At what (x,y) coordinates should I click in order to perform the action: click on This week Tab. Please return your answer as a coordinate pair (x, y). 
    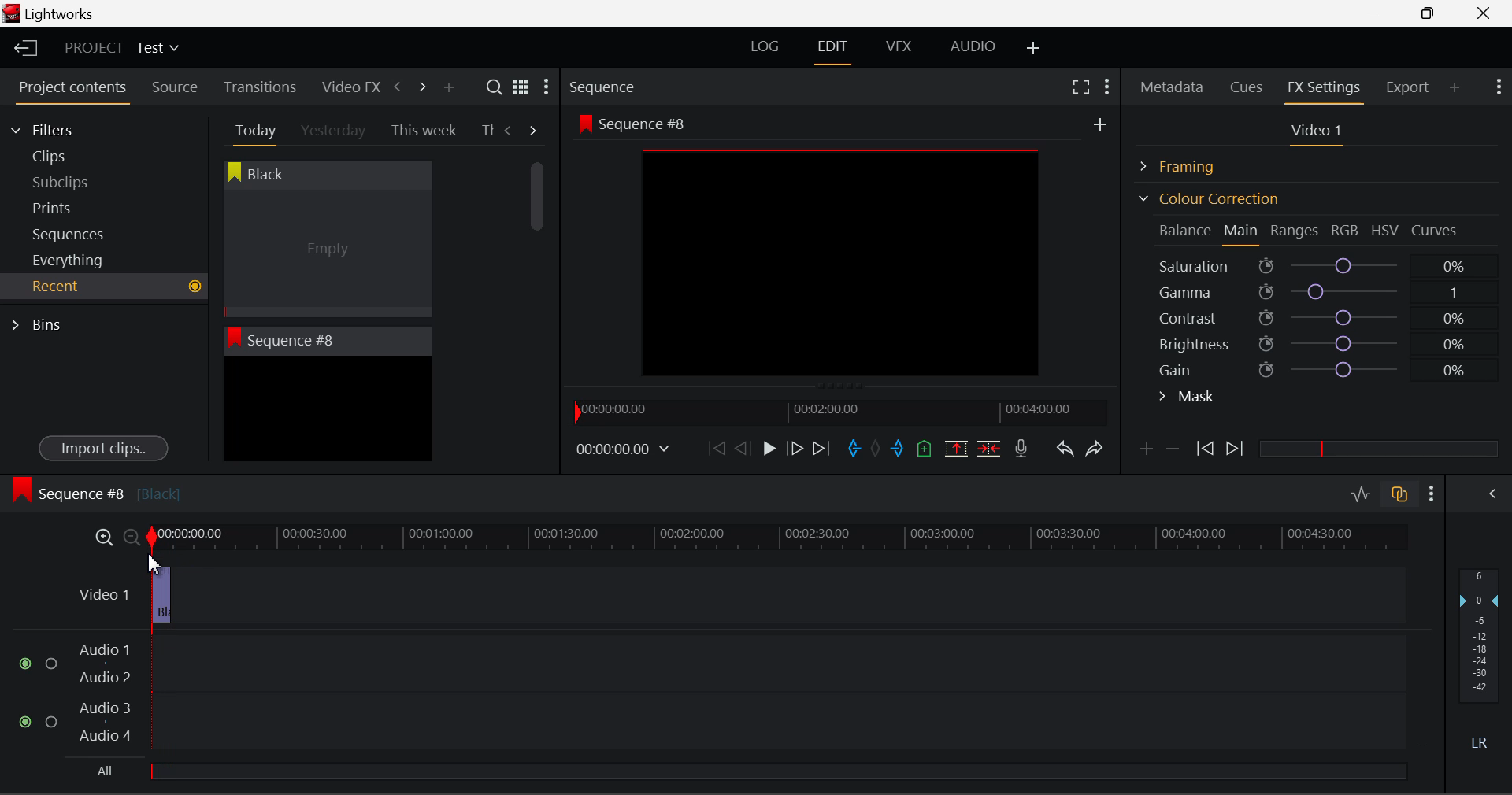
    Looking at the image, I should click on (422, 131).